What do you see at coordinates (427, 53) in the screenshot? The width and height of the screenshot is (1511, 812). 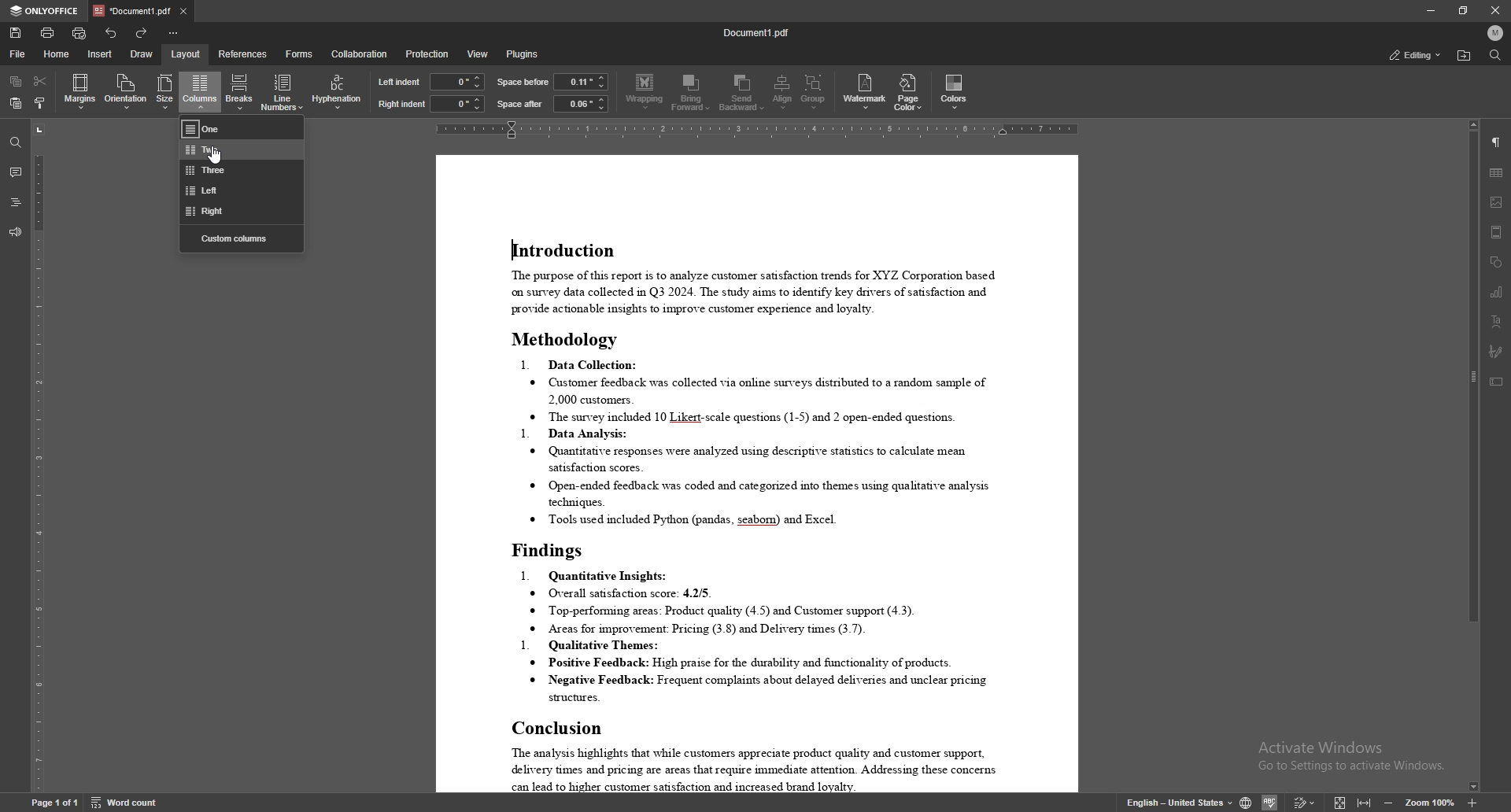 I see `protection` at bounding box center [427, 53].